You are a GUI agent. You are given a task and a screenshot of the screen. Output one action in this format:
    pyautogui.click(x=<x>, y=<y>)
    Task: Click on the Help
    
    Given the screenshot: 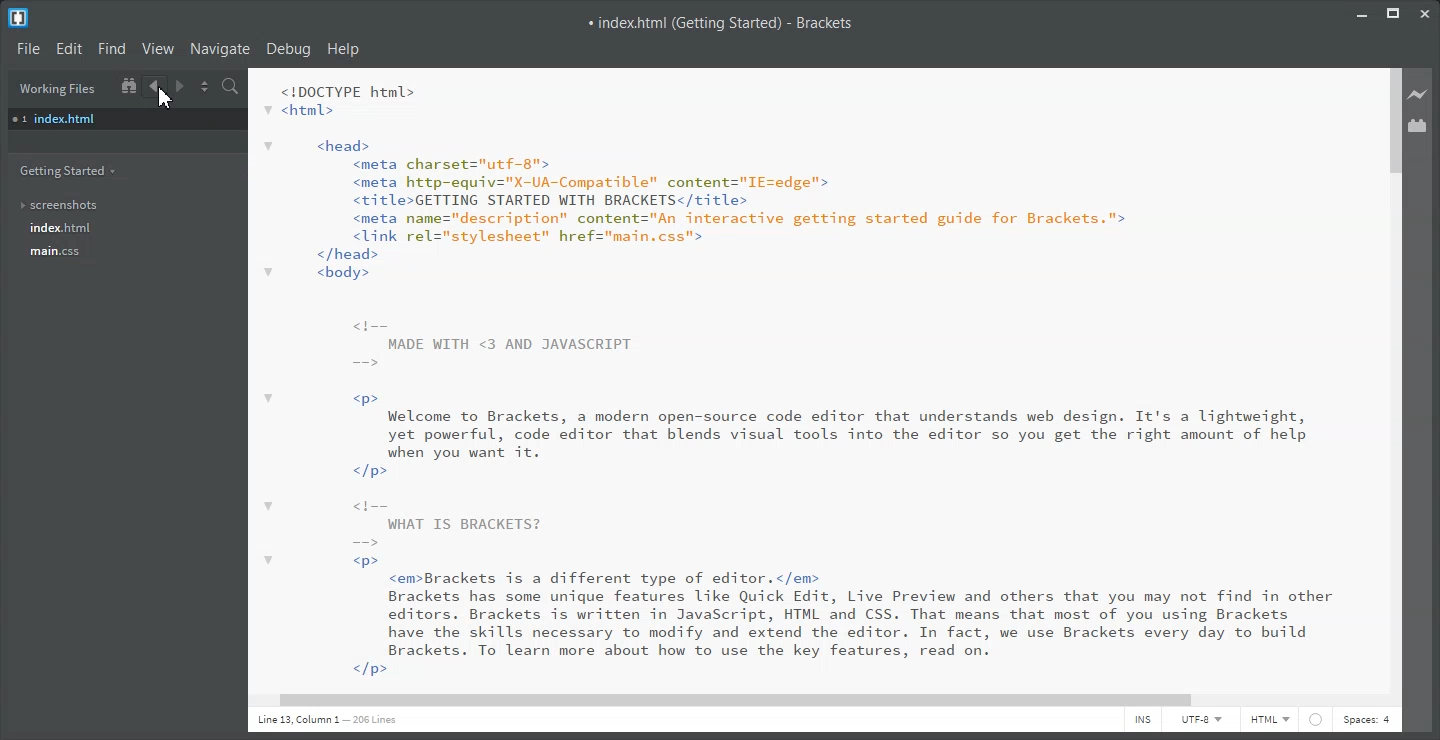 What is the action you would take?
    pyautogui.click(x=343, y=49)
    